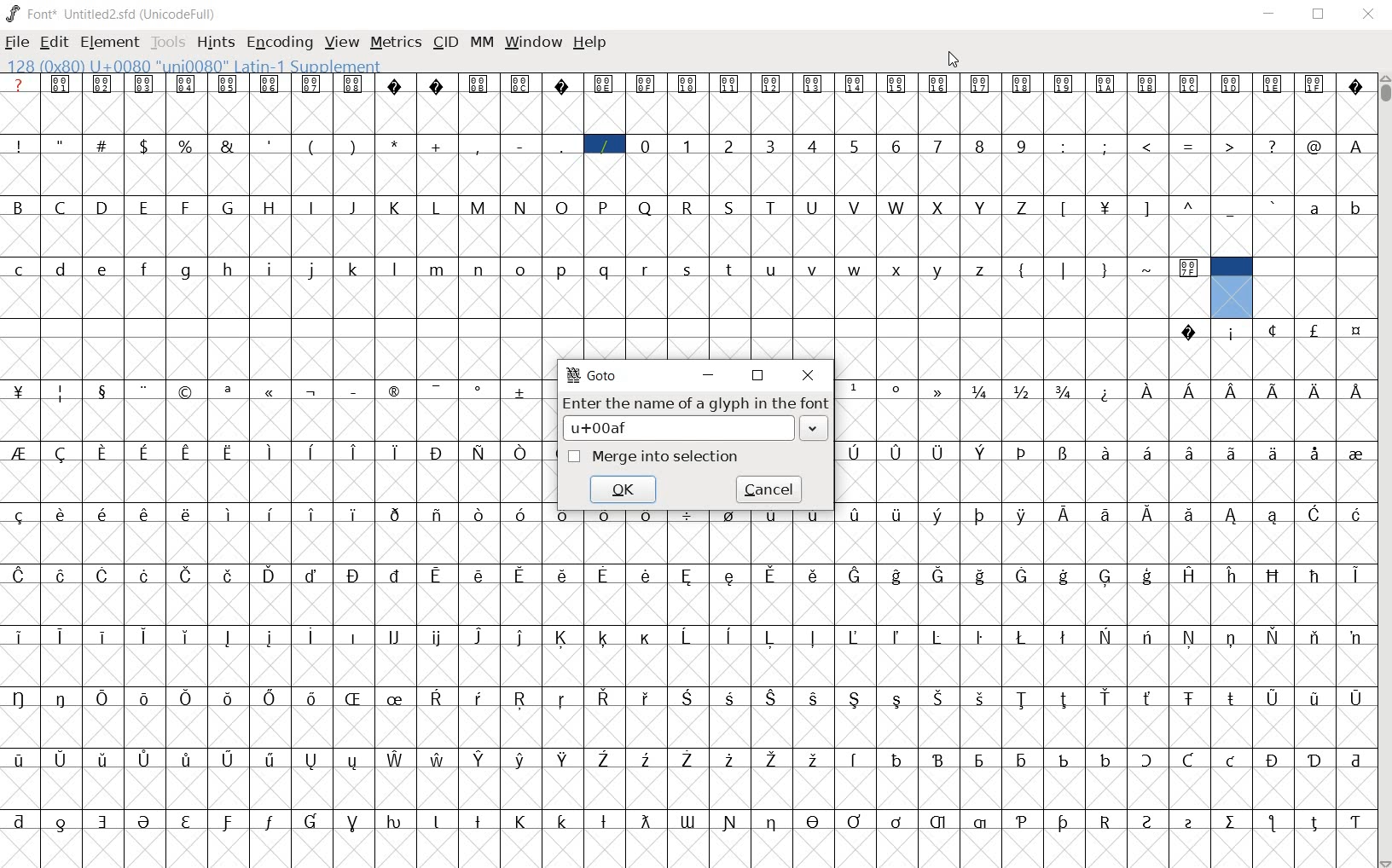  What do you see at coordinates (353, 819) in the screenshot?
I see `Symbol` at bounding box center [353, 819].